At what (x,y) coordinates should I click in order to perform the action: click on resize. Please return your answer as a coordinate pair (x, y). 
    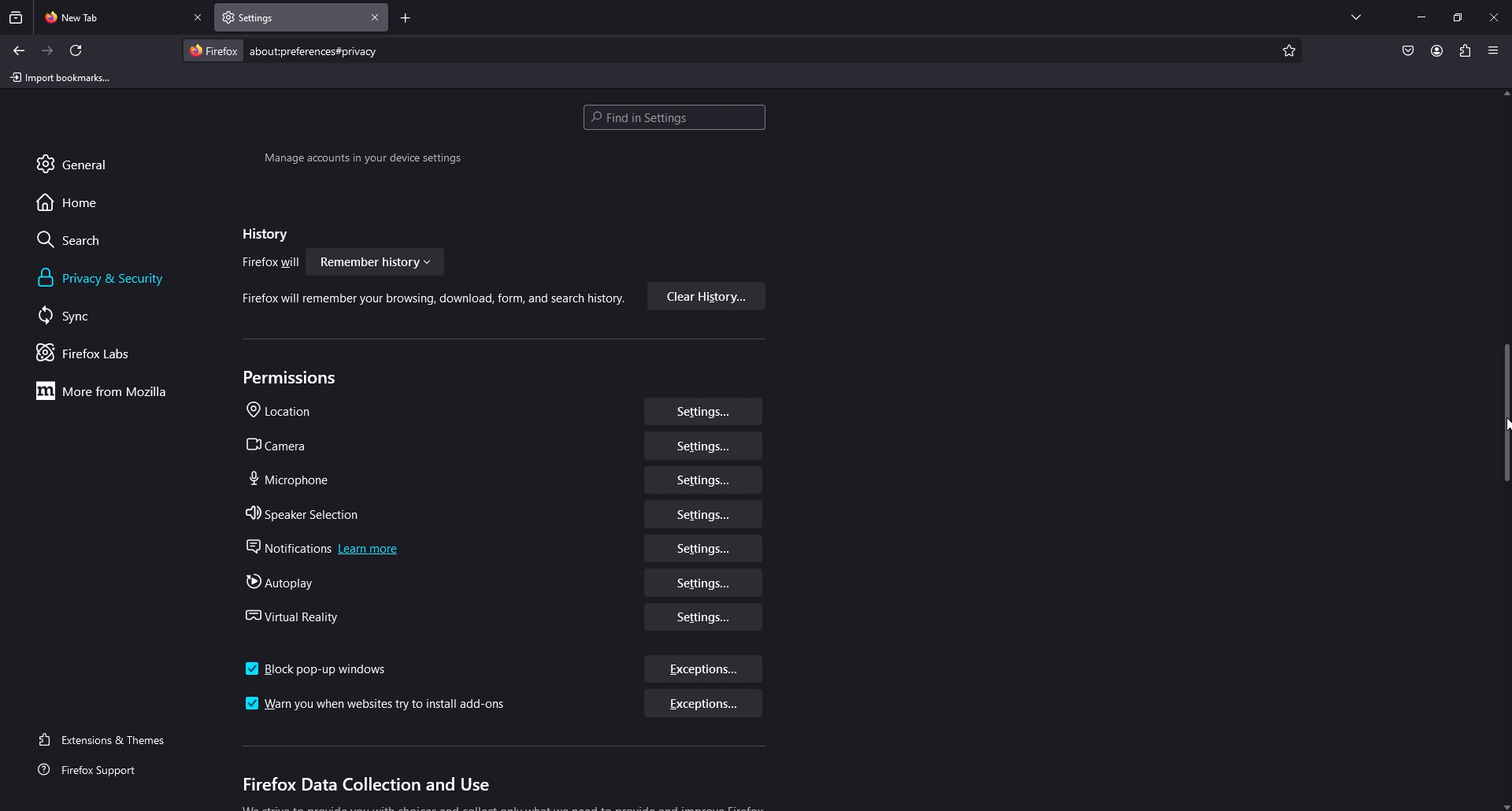
    Looking at the image, I should click on (1458, 17).